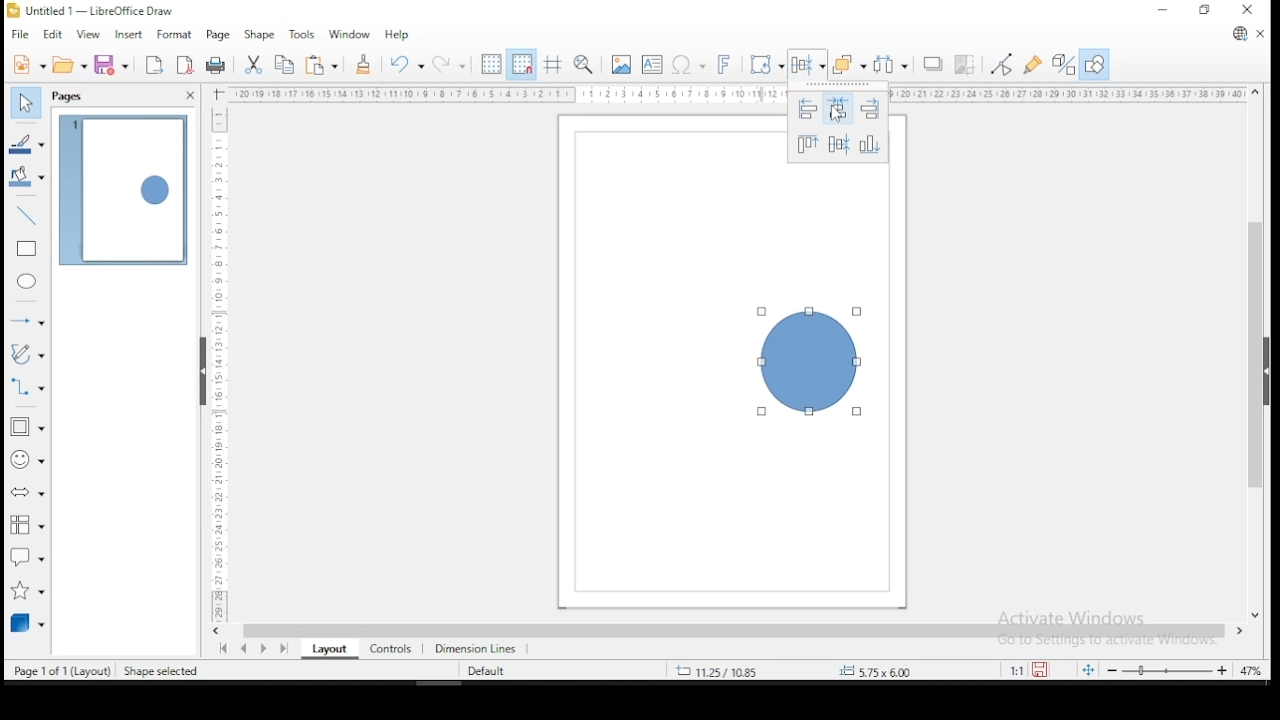 Image resolution: width=1280 pixels, height=720 pixels. Describe the element at coordinates (849, 64) in the screenshot. I see `arrange` at that location.